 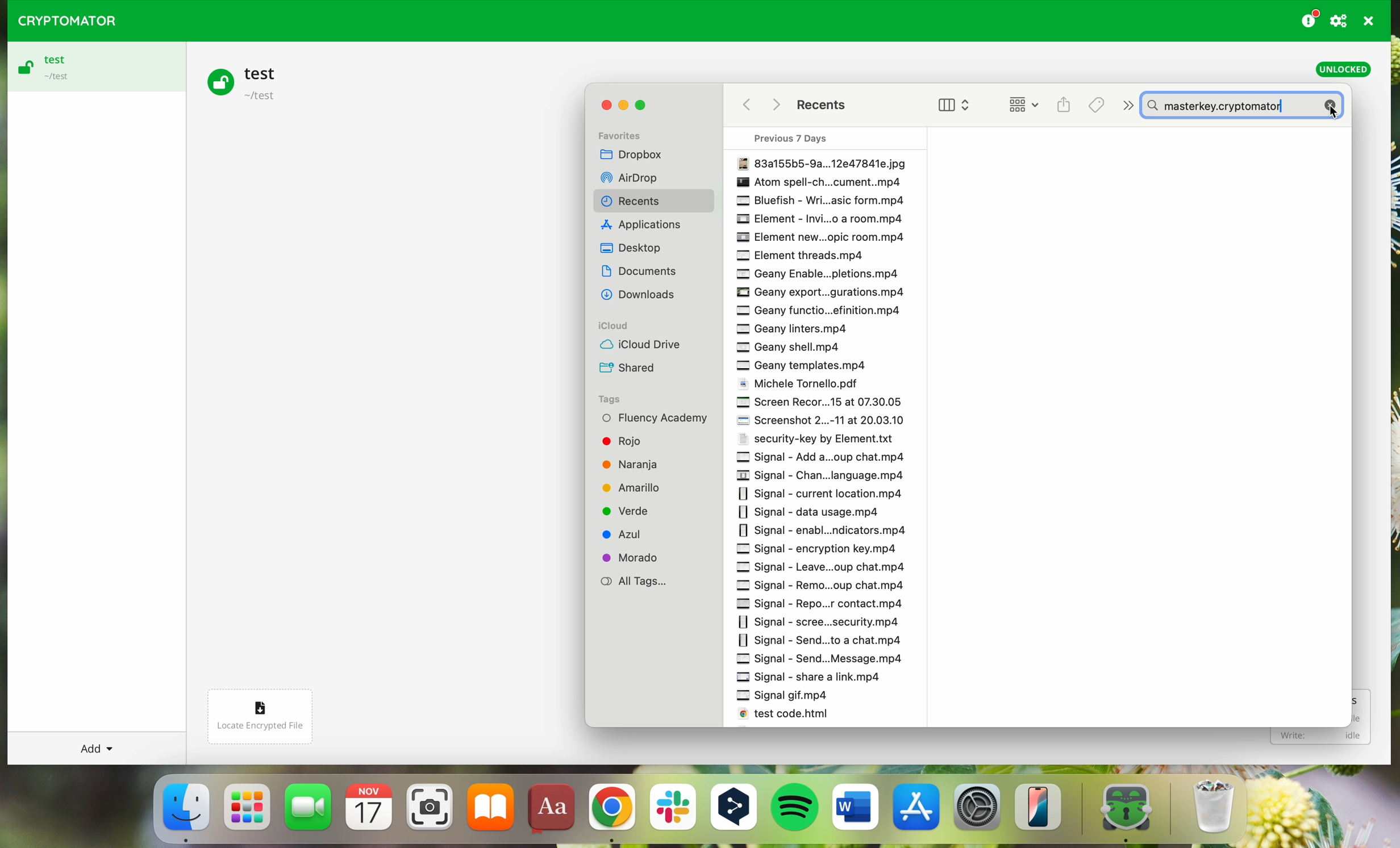 What do you see at coordinates (631, 534) in the screenshot?
I see `Azul` at bounding box center [631, 534].